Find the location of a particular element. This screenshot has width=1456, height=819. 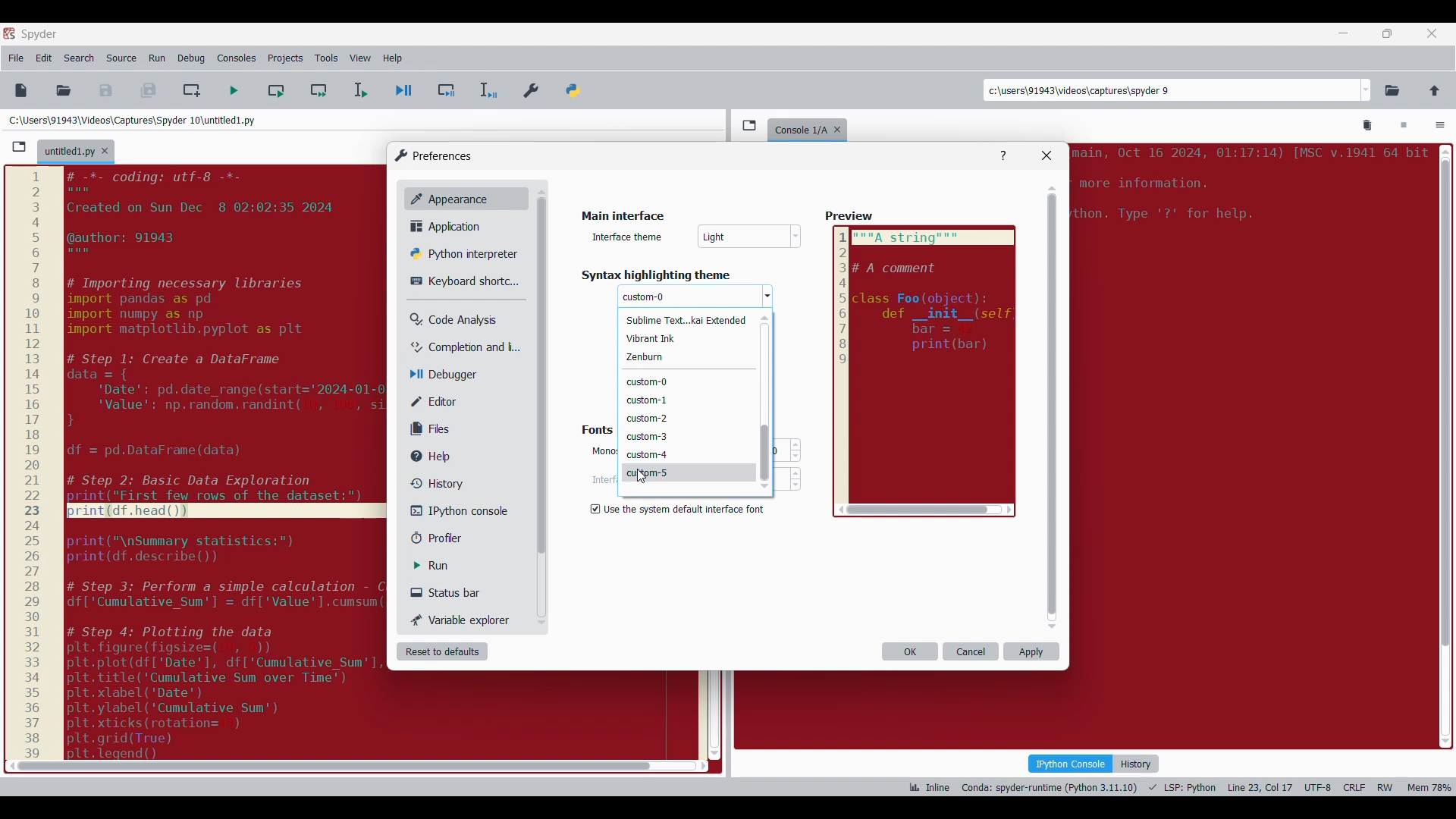

Run is located at coordinates (442, 566).